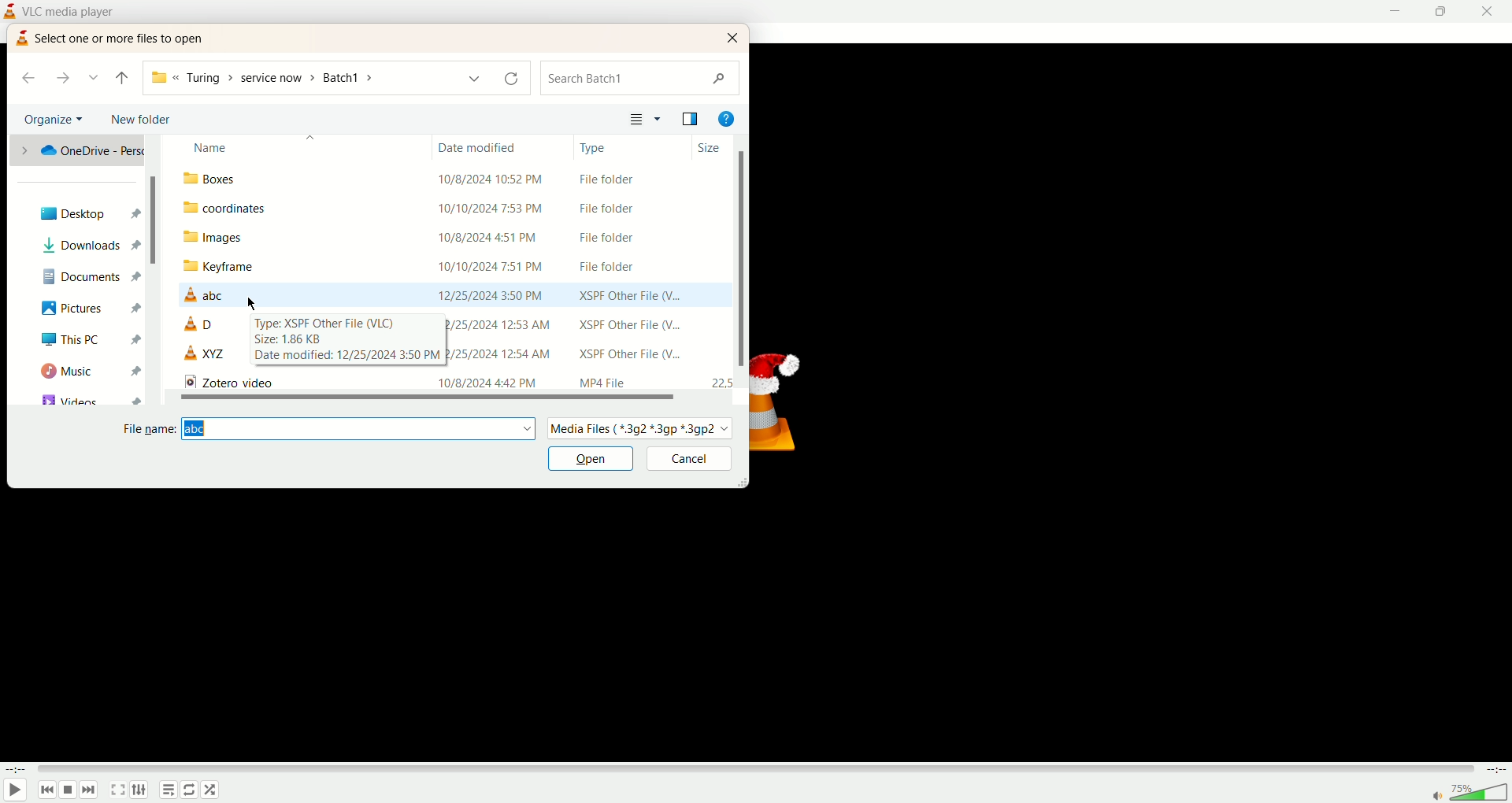 The image size is (1512, 803). I want to click on add file name, so click(358, 430).